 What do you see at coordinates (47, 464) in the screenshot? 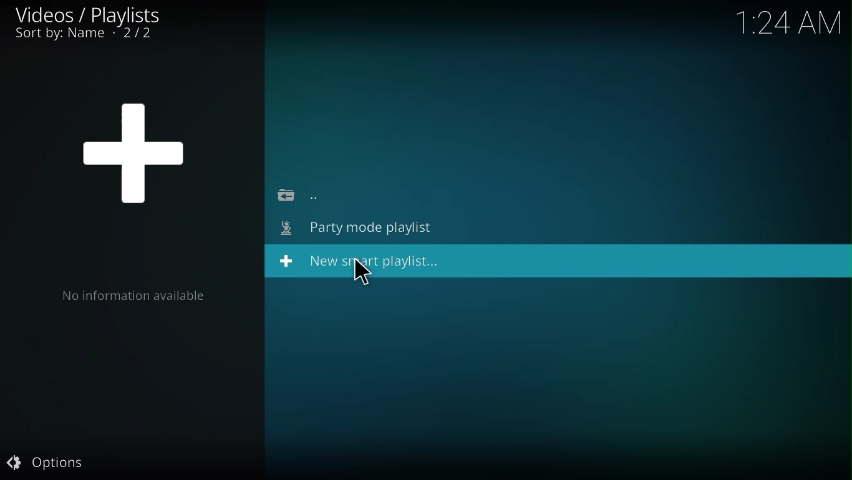
I see `options` at bounding box center [47, 464].